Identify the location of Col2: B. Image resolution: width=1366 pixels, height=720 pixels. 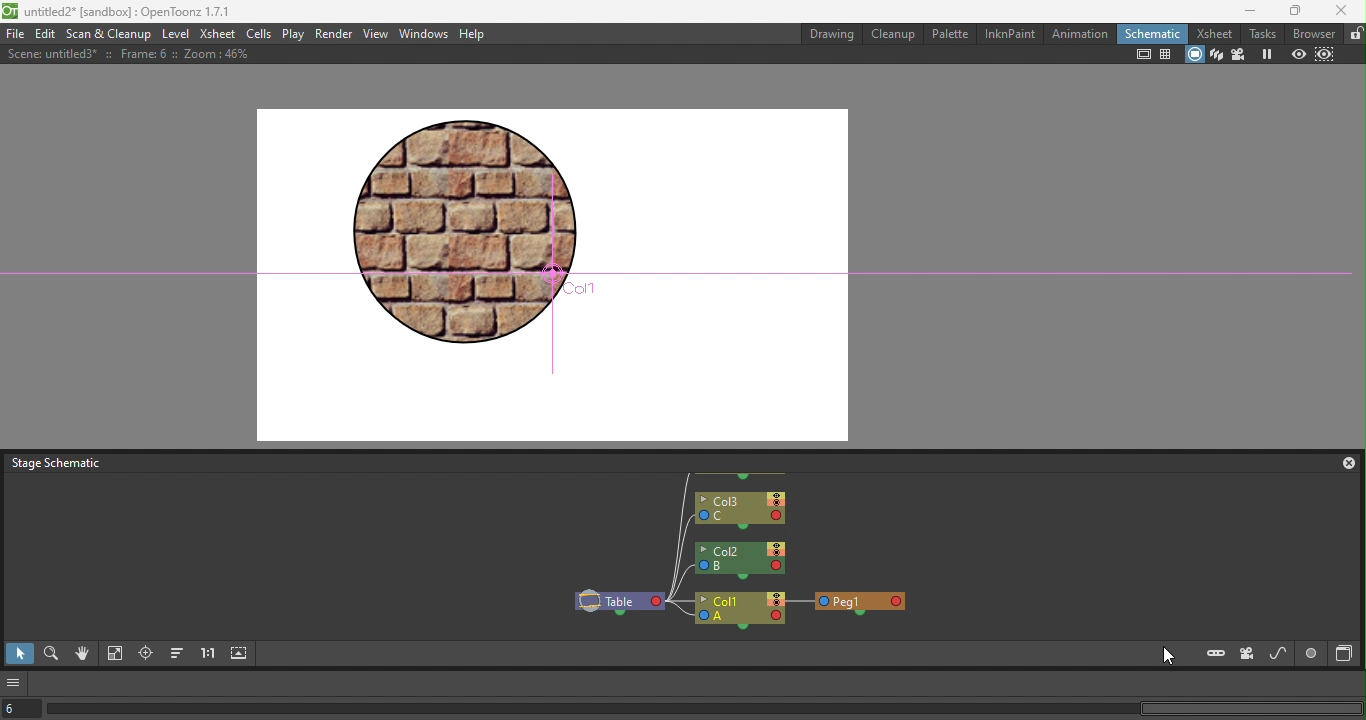
(740, 561).